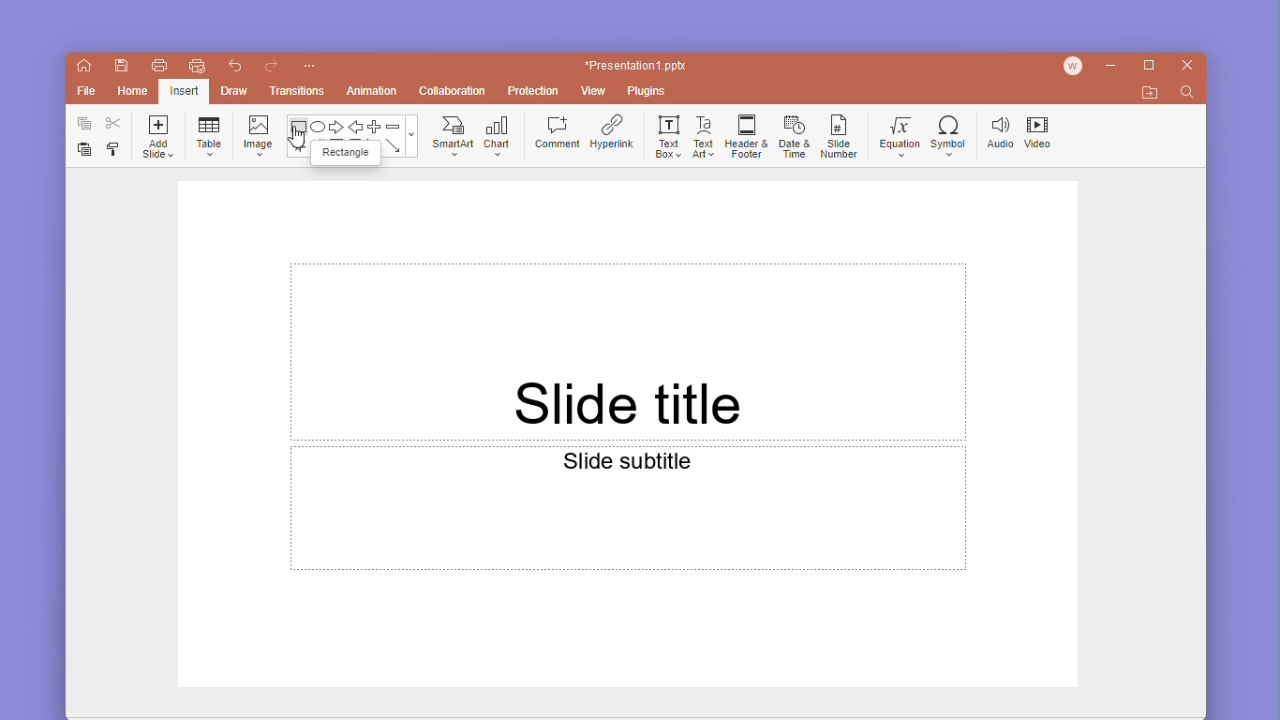  Describe the element at coordinates (299, 138) in the screenshot. I see `cursor` at that location.